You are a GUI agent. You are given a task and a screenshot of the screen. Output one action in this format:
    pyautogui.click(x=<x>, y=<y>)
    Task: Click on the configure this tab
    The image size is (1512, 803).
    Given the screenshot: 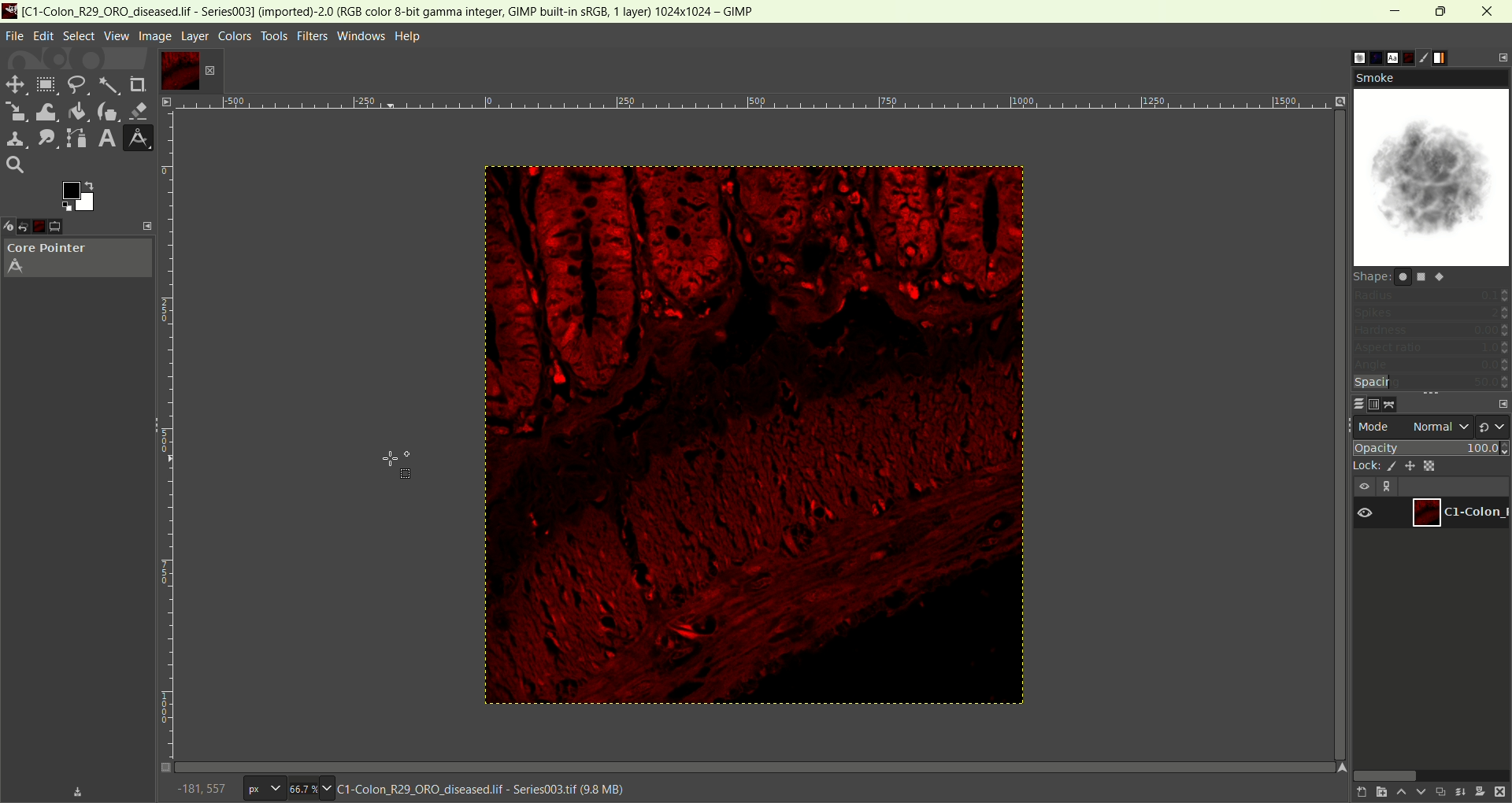 What is the action you would take?
    pyautogui.click(x=148, y=225)
    